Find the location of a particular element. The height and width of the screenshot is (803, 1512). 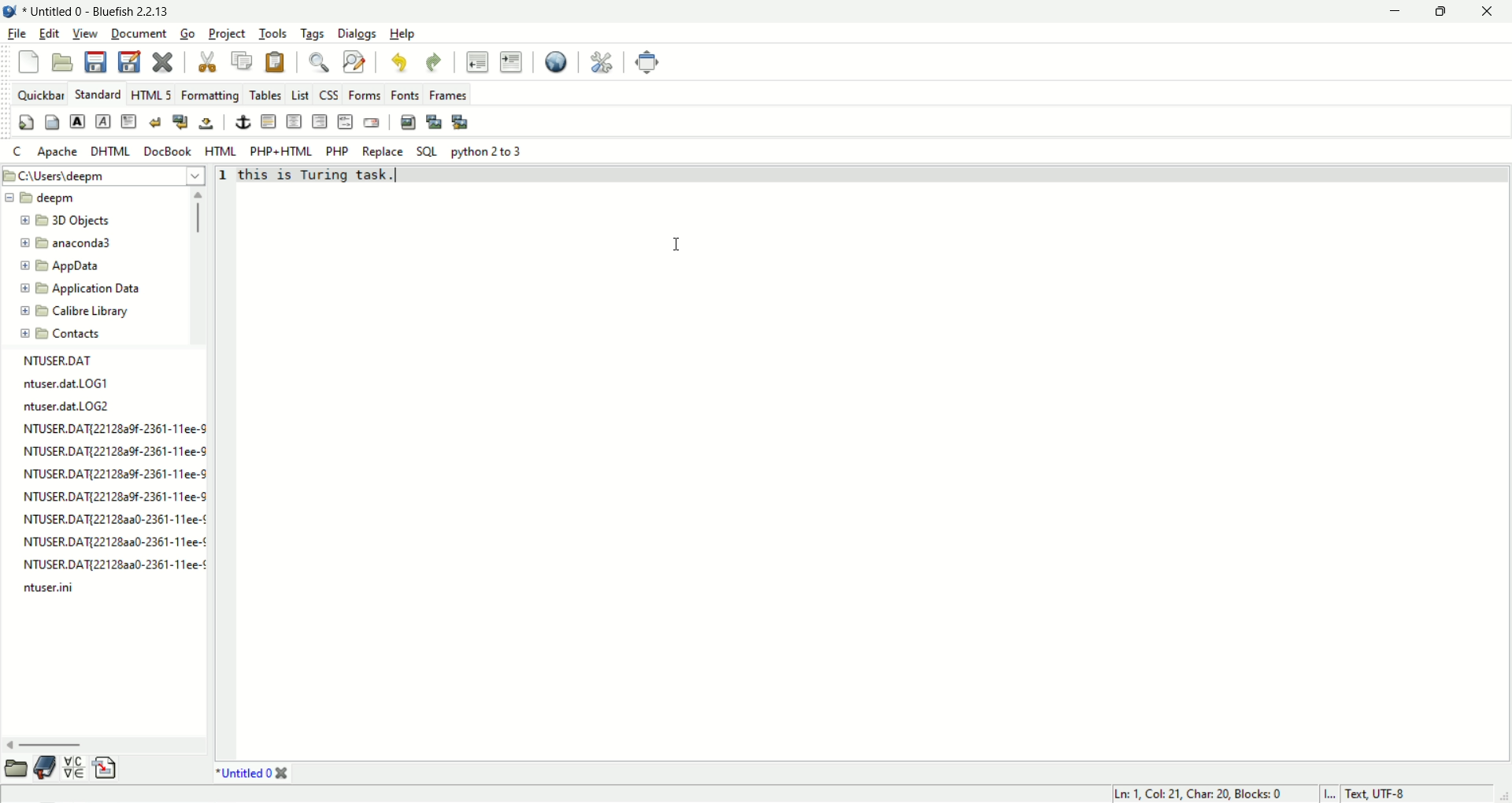

Ln: 1, Col: 21, Char: 20, Blocks: 0 is located at coordinates (1195, 791).